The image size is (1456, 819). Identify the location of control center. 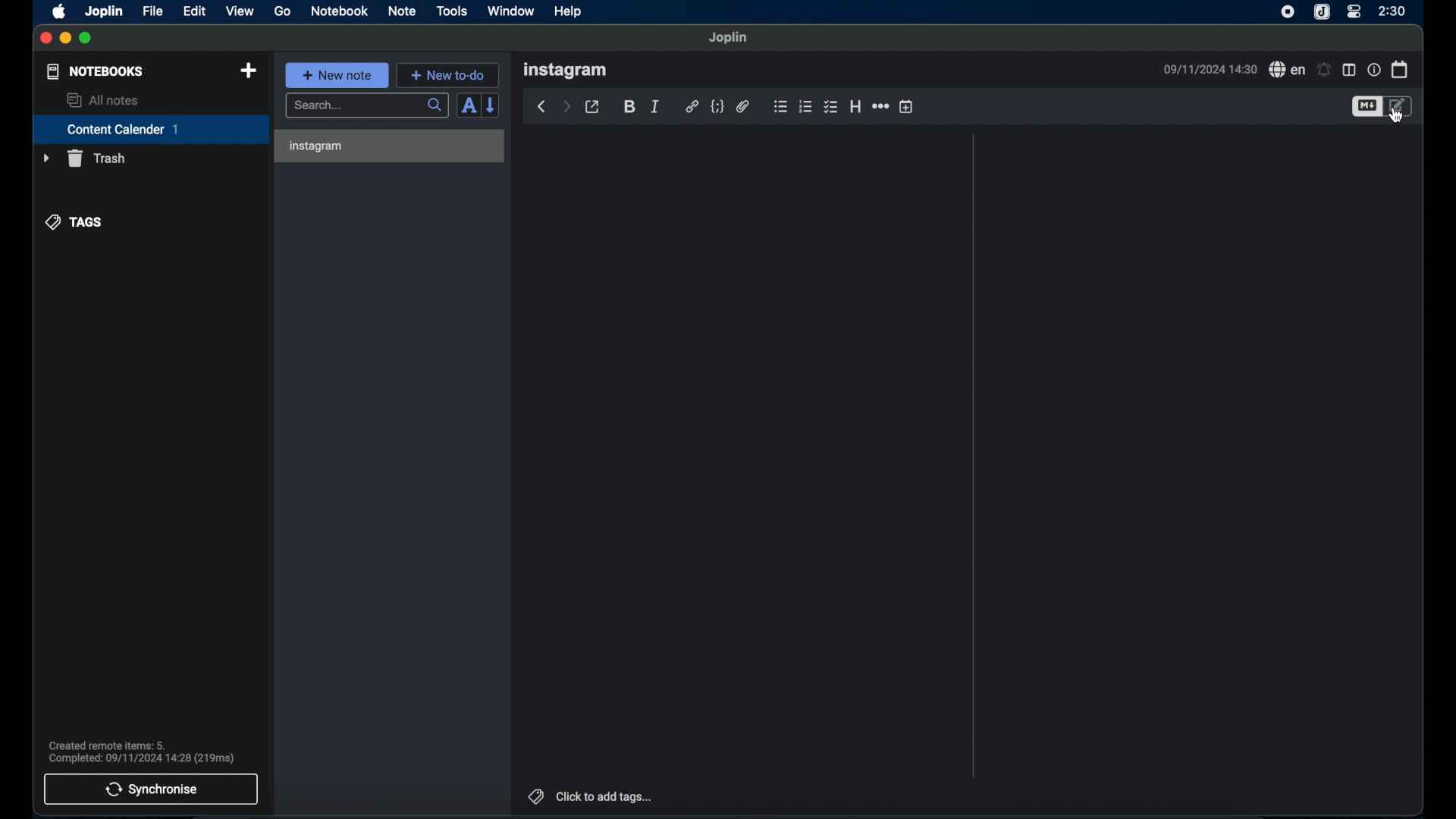
(1354, 12).